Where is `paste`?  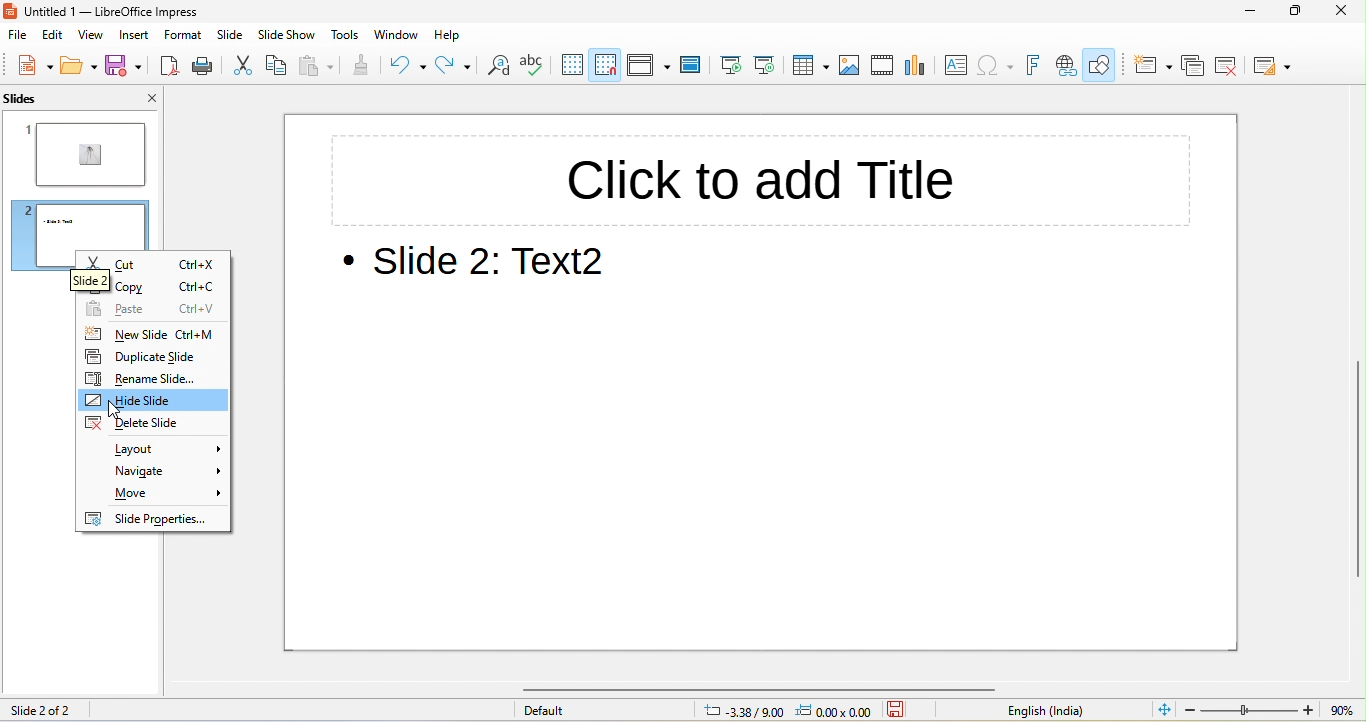
paste is located at coordinates (320, 66).